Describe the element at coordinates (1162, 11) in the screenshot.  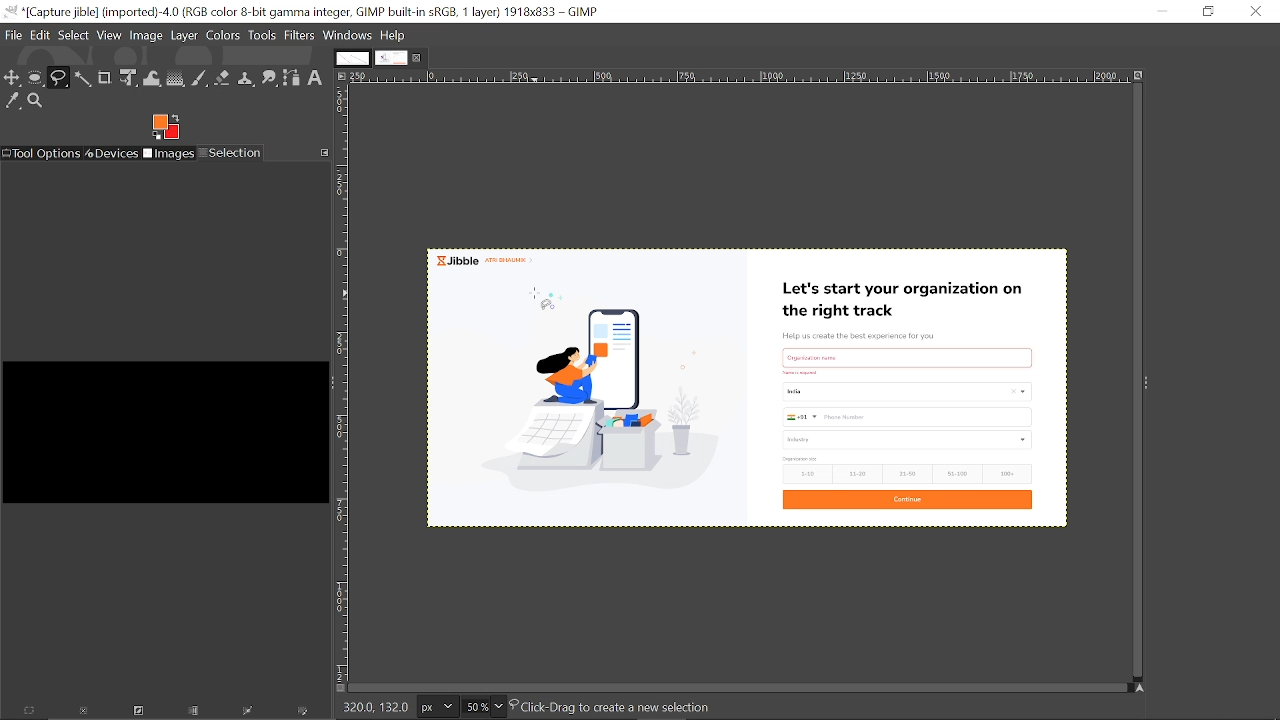
I see `Minimize` at that location.